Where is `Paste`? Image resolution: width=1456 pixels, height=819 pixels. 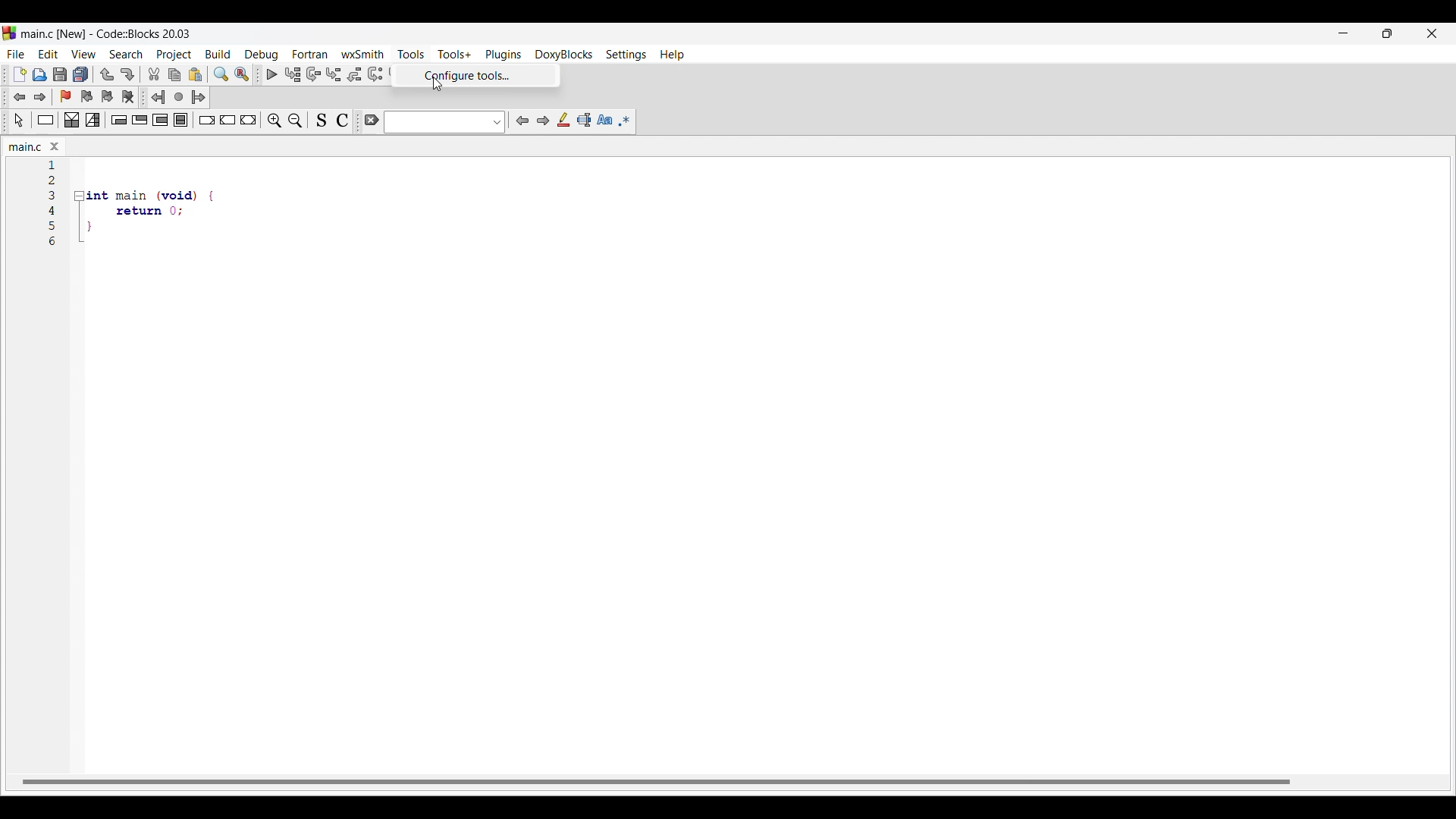
Paste is located at coordinates (196, 74).